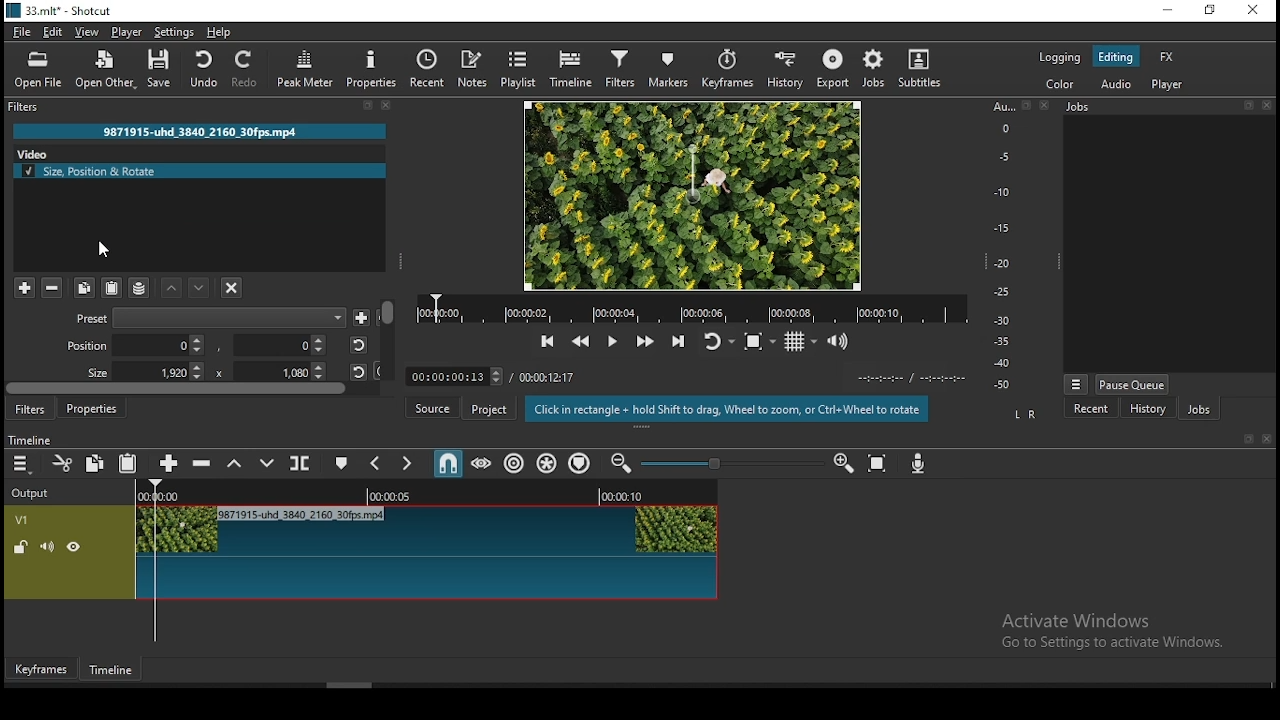 This screenshot has height=720, width=1280. Describe the element at coordinates (267, 464) in the screenshot. I see `overwrite` at that location.